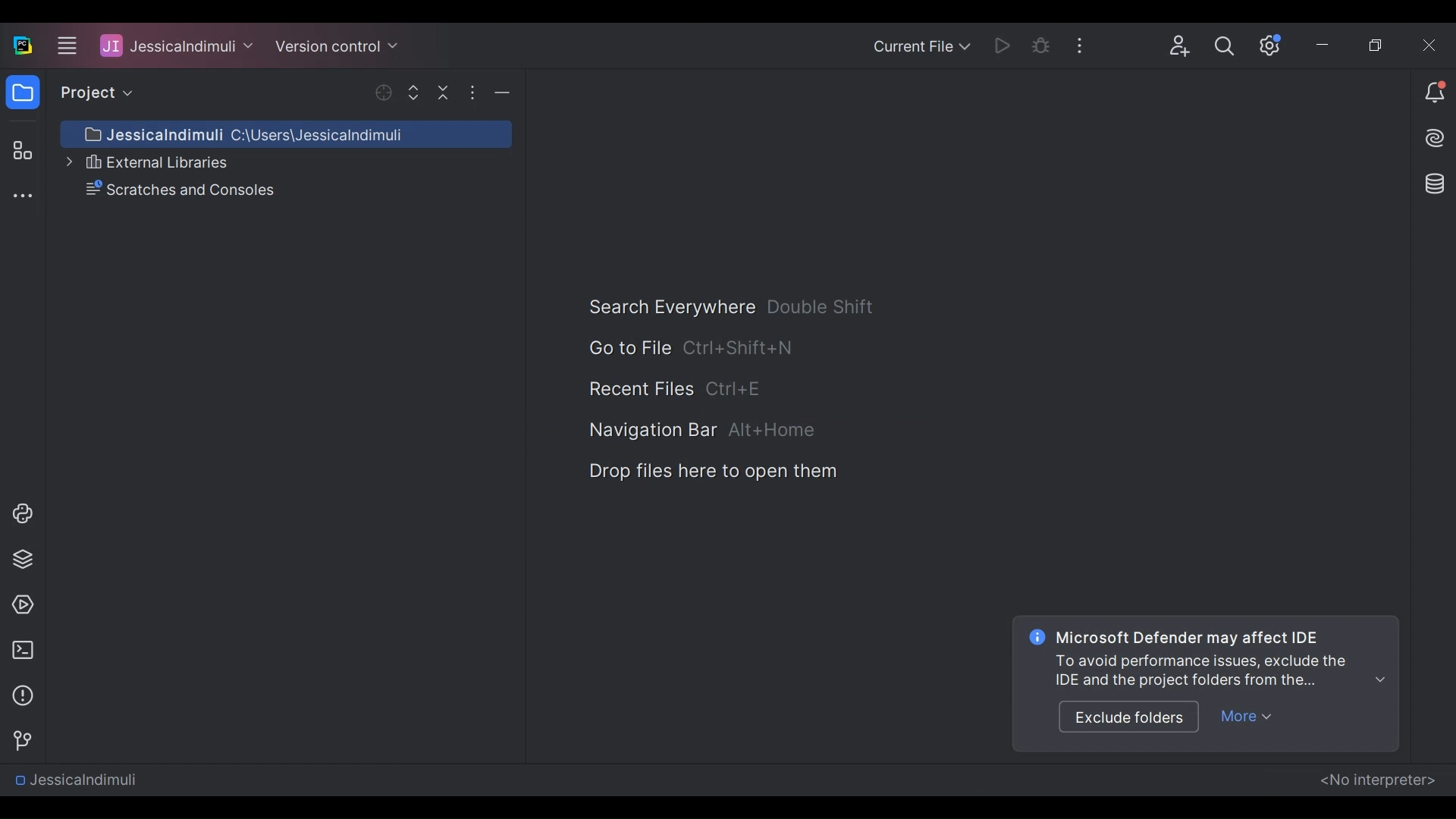 This screenshot has width=1456, height=819. I want to click on Terminal, so click(22, 650).